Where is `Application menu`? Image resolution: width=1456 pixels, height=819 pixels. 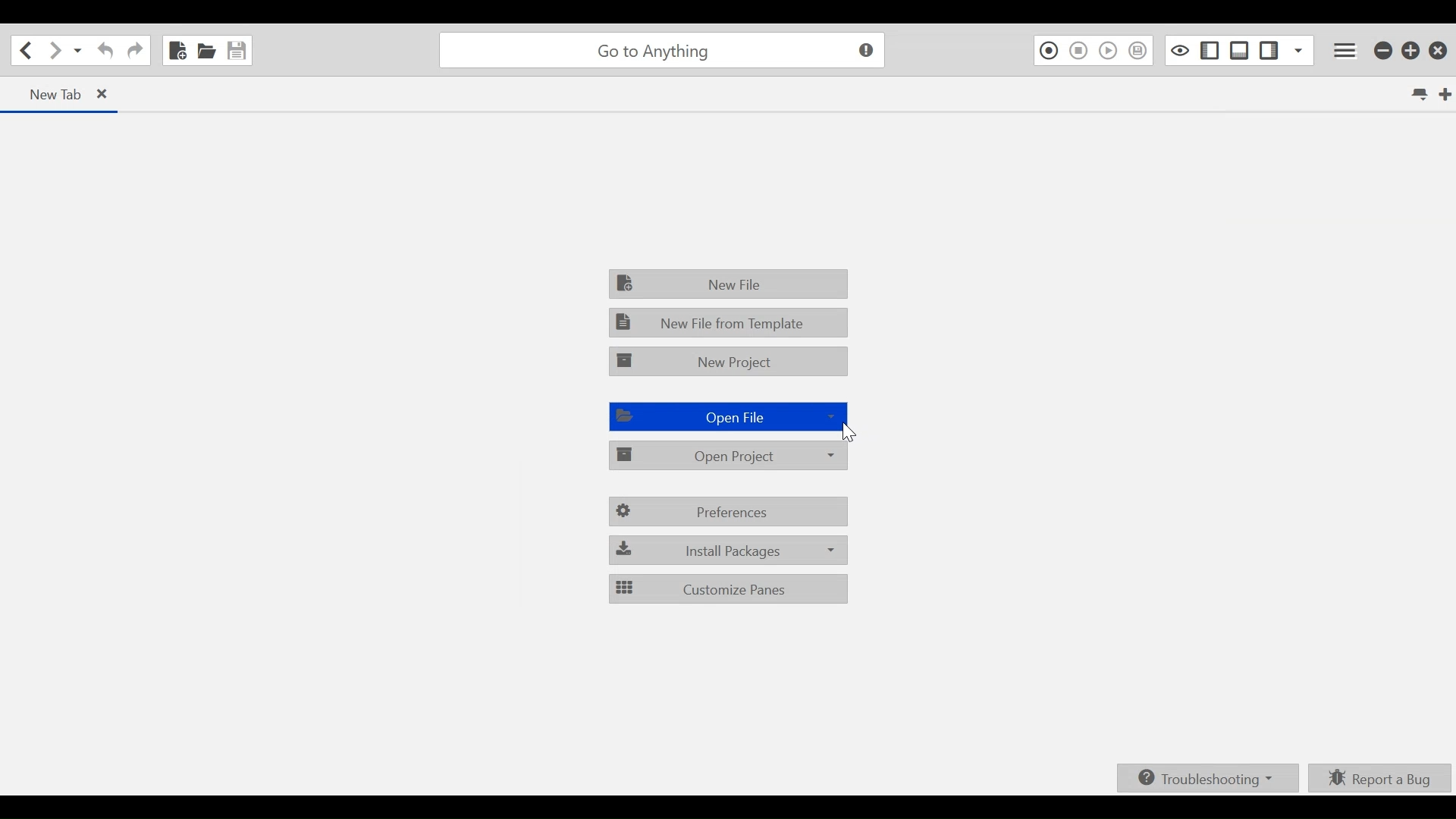 Application menu is located at coordinates (1348, 49).